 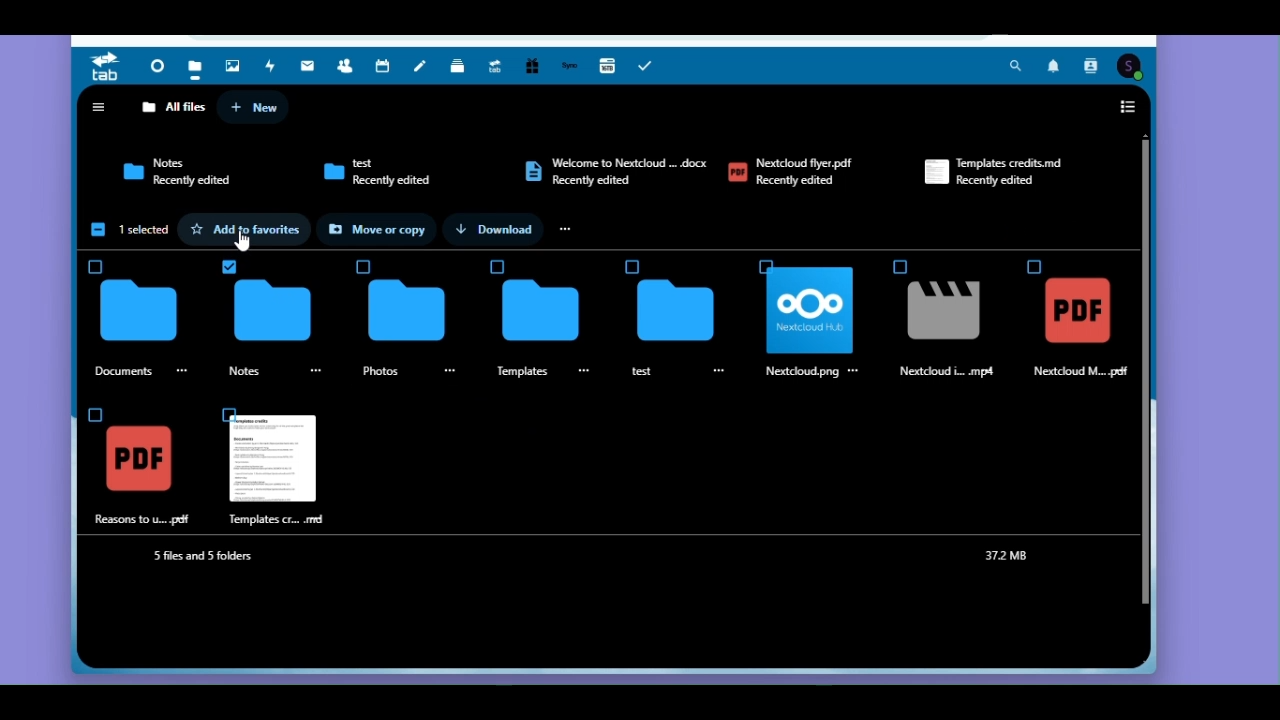 What do you see at coordinates (174, 108) in the screenshot?
I see `All Files` at bounding box center [174, 108].